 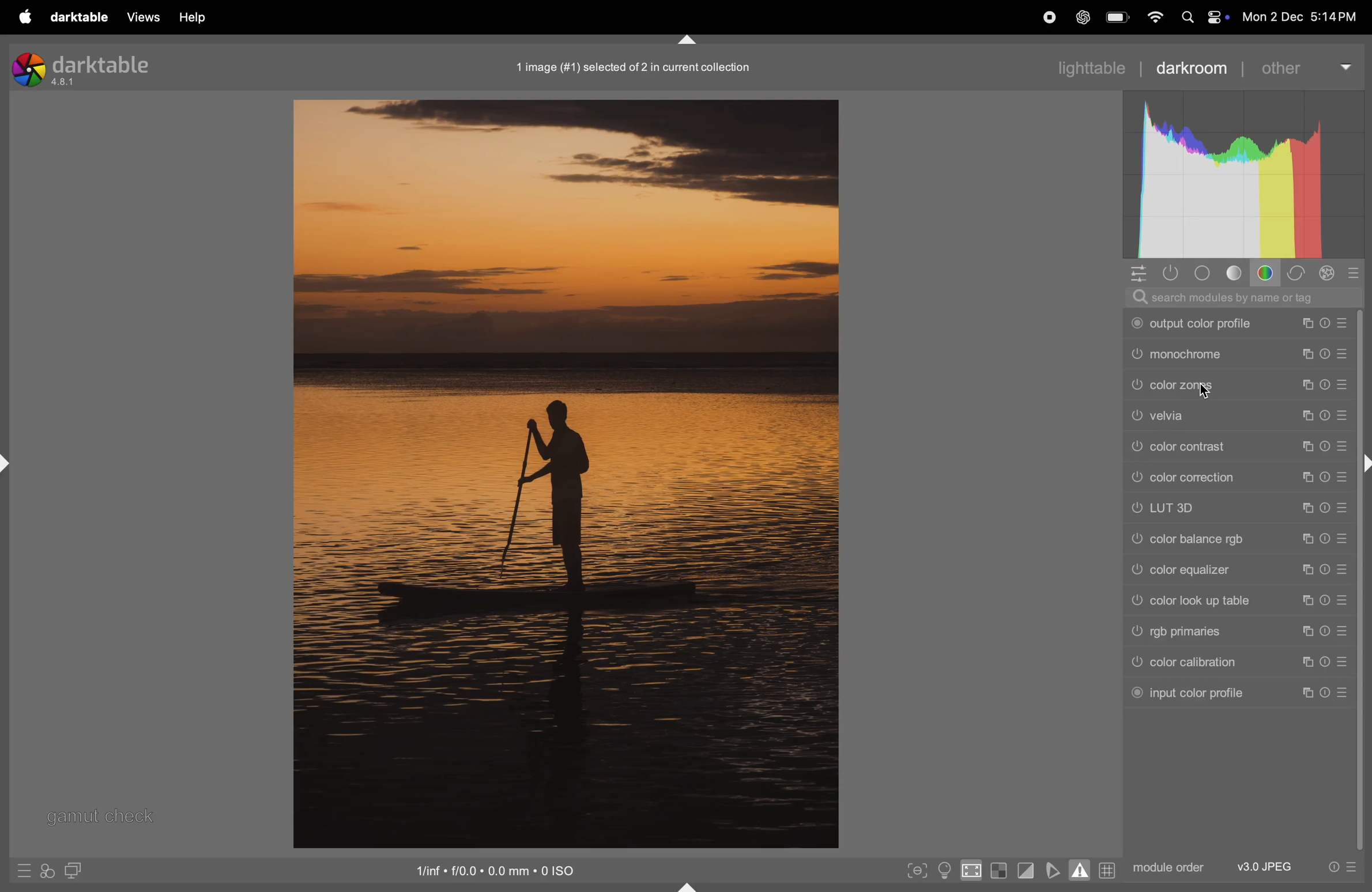 I want to click on output color profile, so click(x=1197, y=324).